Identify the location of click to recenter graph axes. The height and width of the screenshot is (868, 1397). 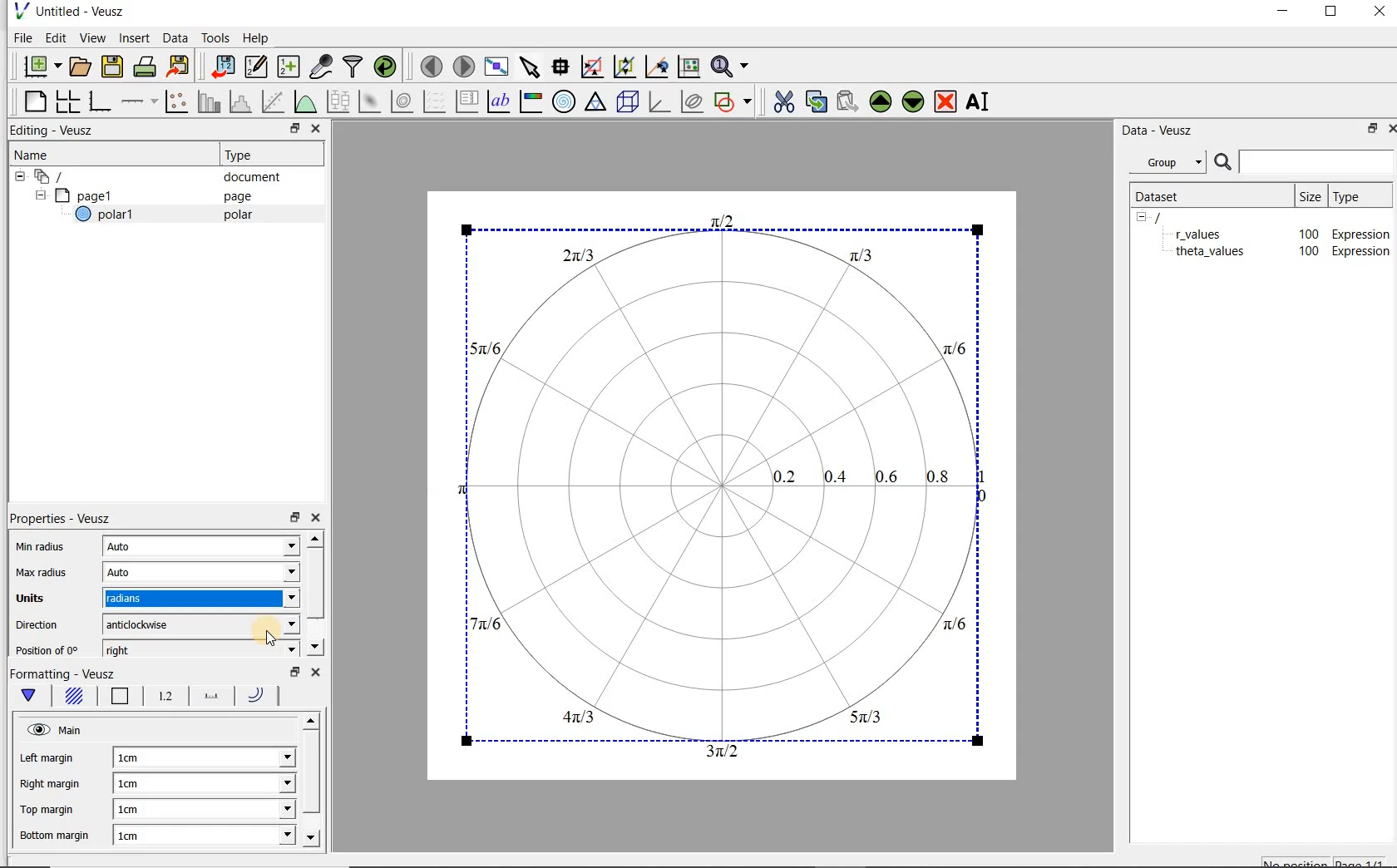
(658, 67).